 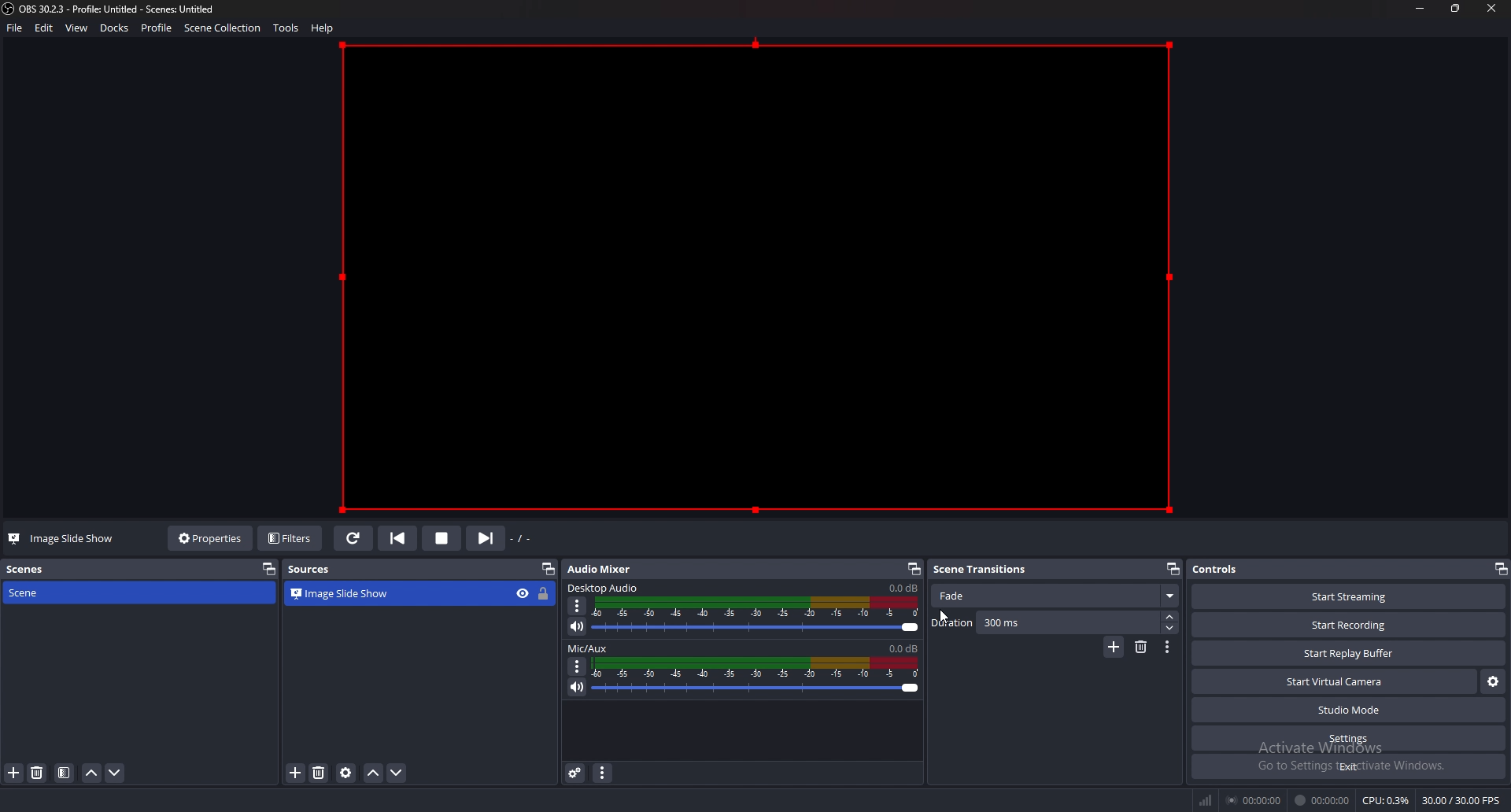 I want to click on transition properties, so click(x=1168, y=648).